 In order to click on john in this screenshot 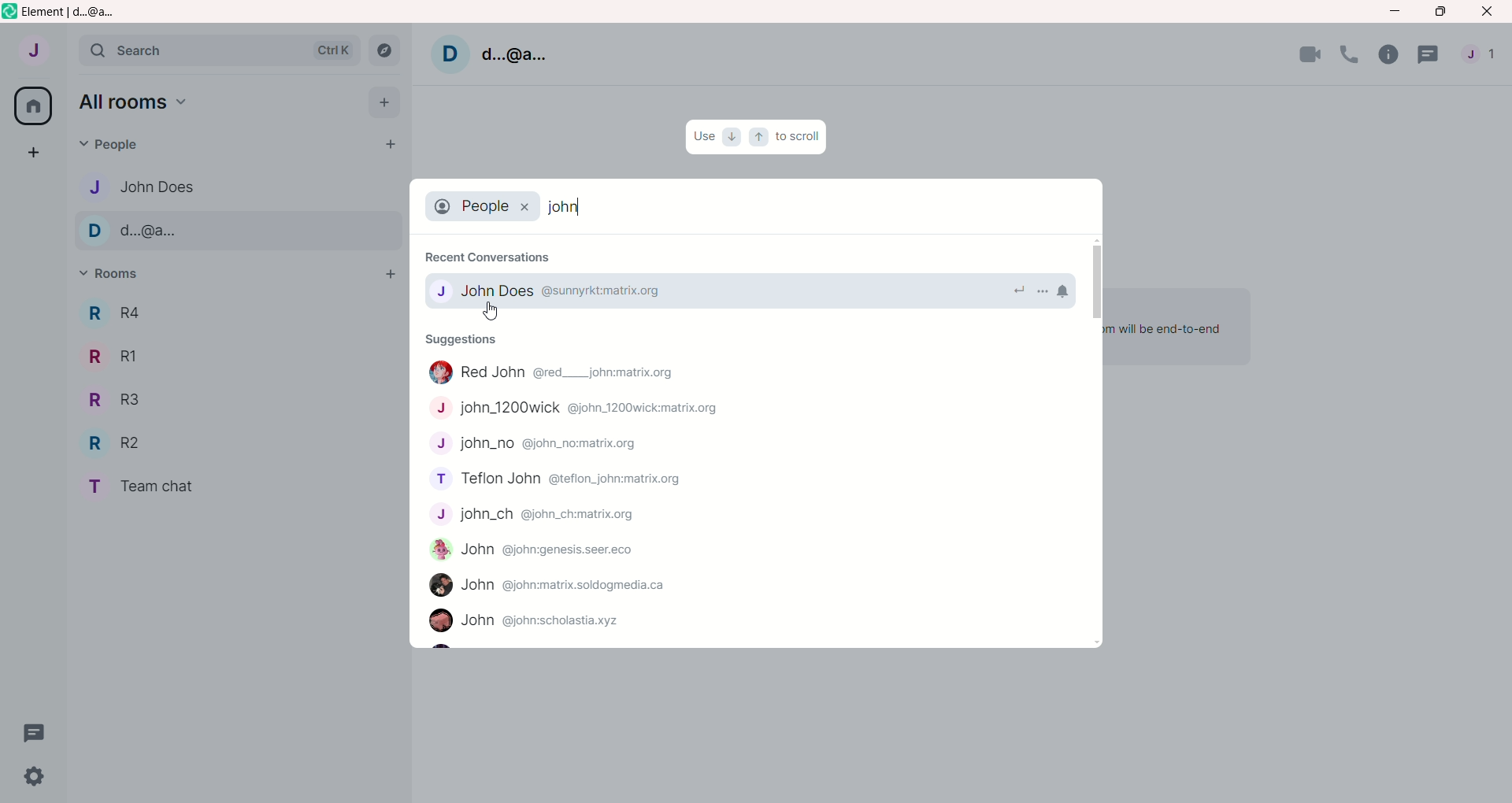, I will do `click(555, 586)`.